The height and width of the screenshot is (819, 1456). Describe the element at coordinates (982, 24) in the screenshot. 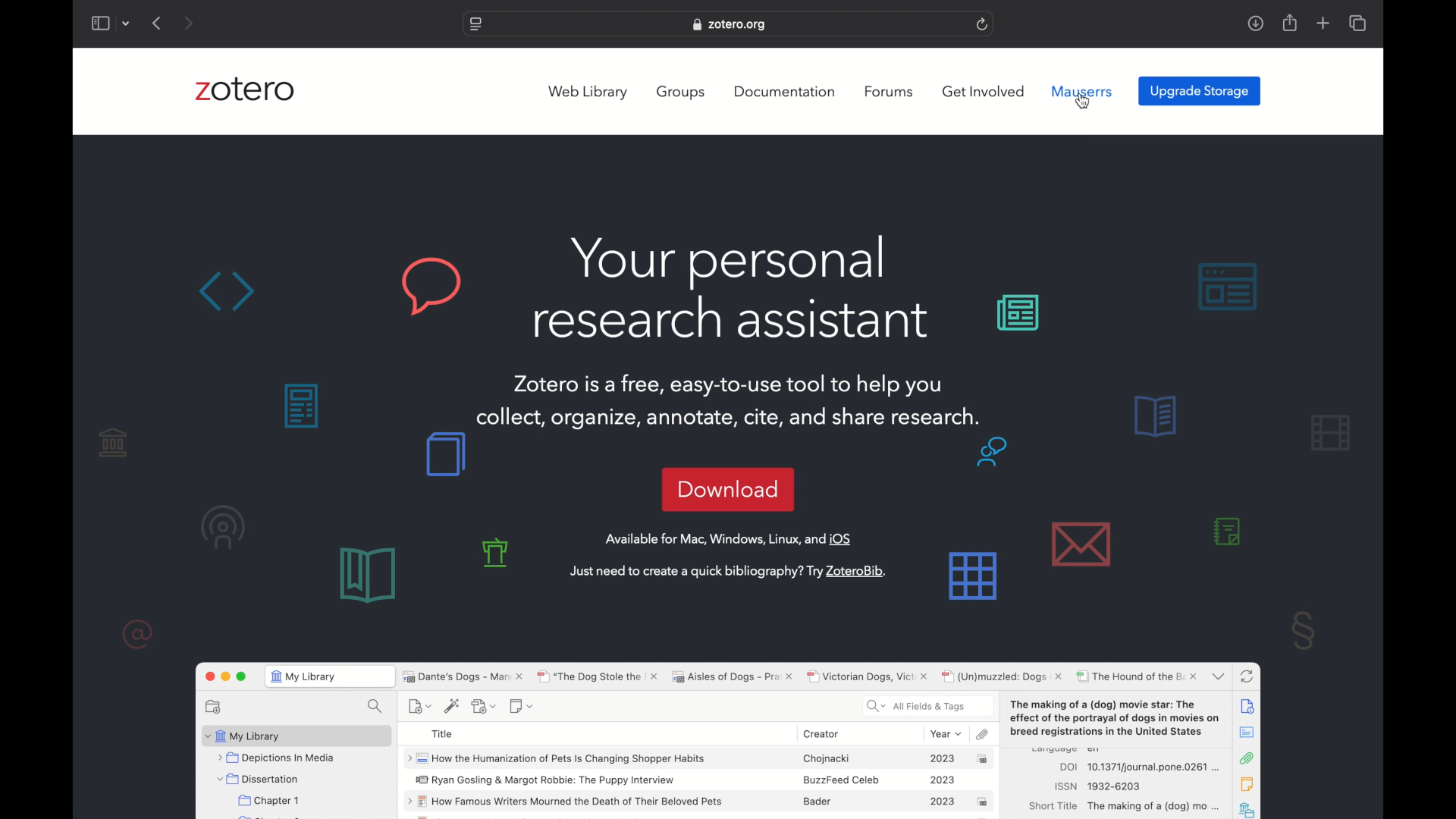

I see `refresh` at that location.